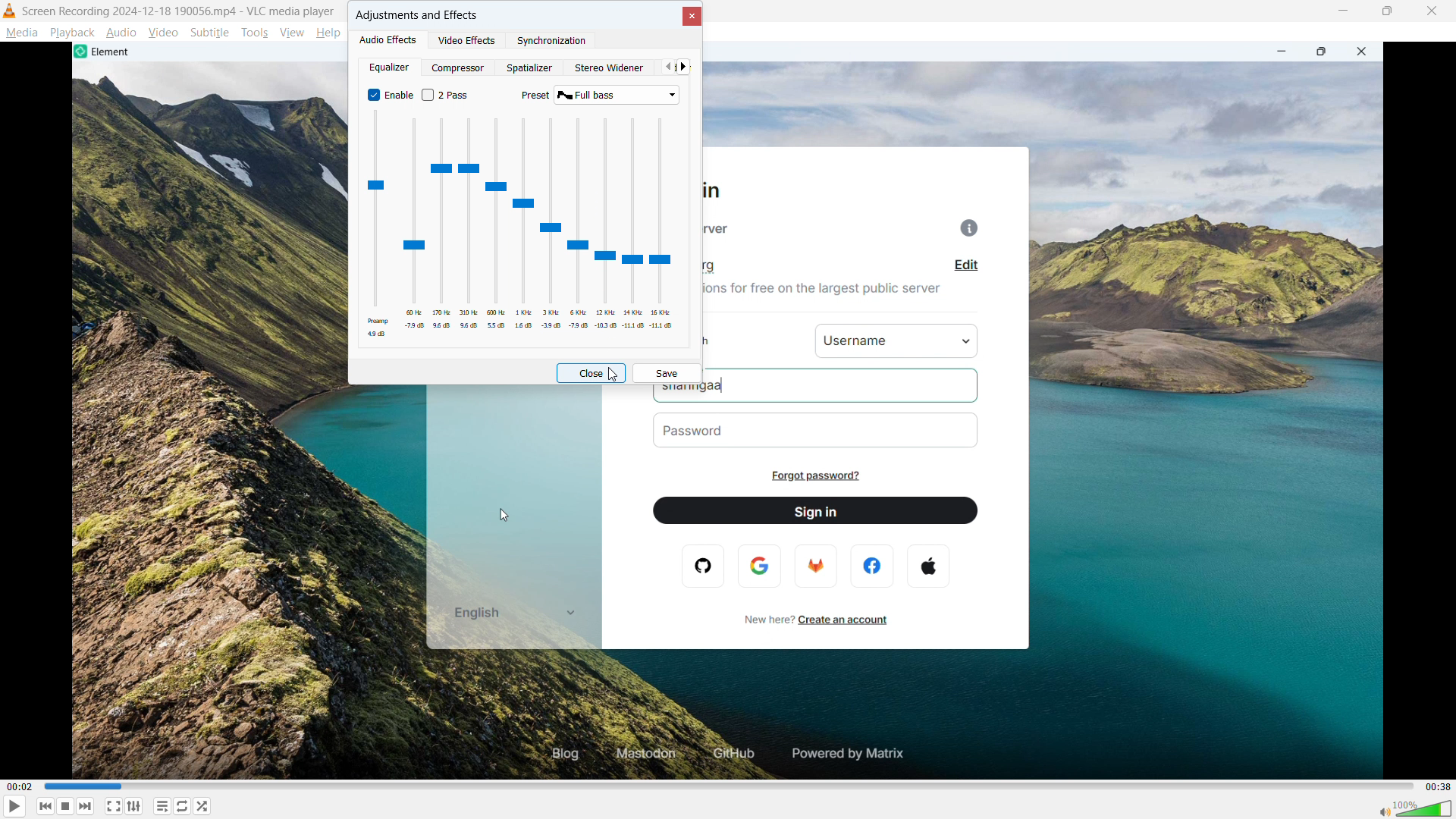 This screenshot has width=1456, height=819. Describe the element at coordinates (632, 224) in the screenshot. I see `Adjust 14 kilohertz ` at that location.